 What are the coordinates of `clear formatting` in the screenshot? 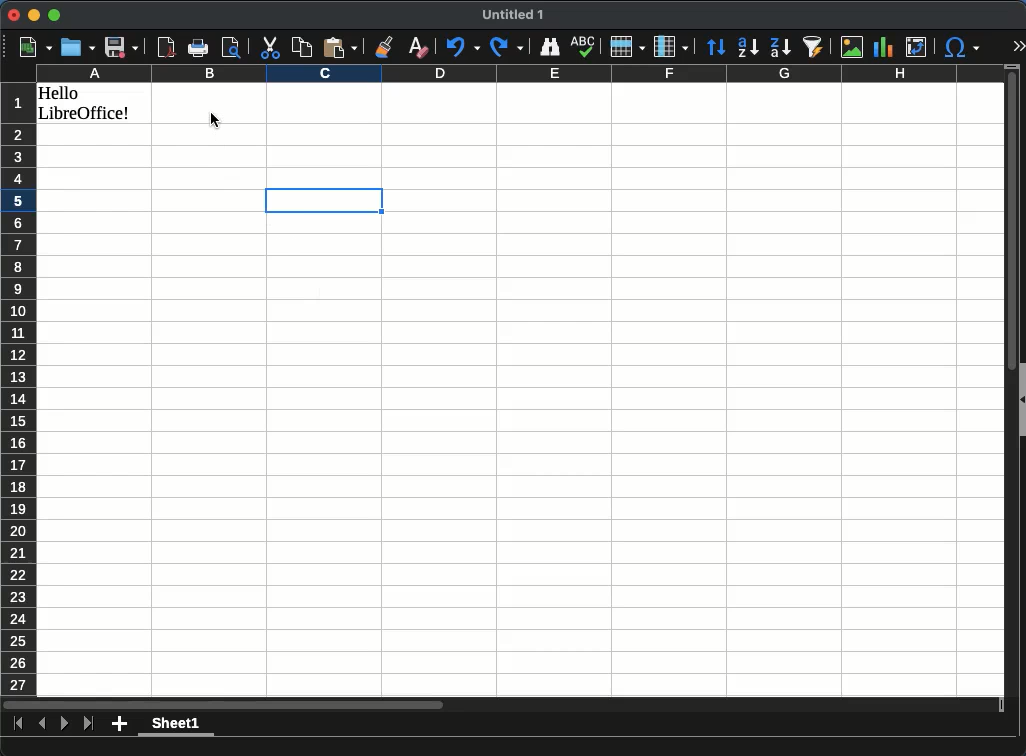 It's located at (414, 47).